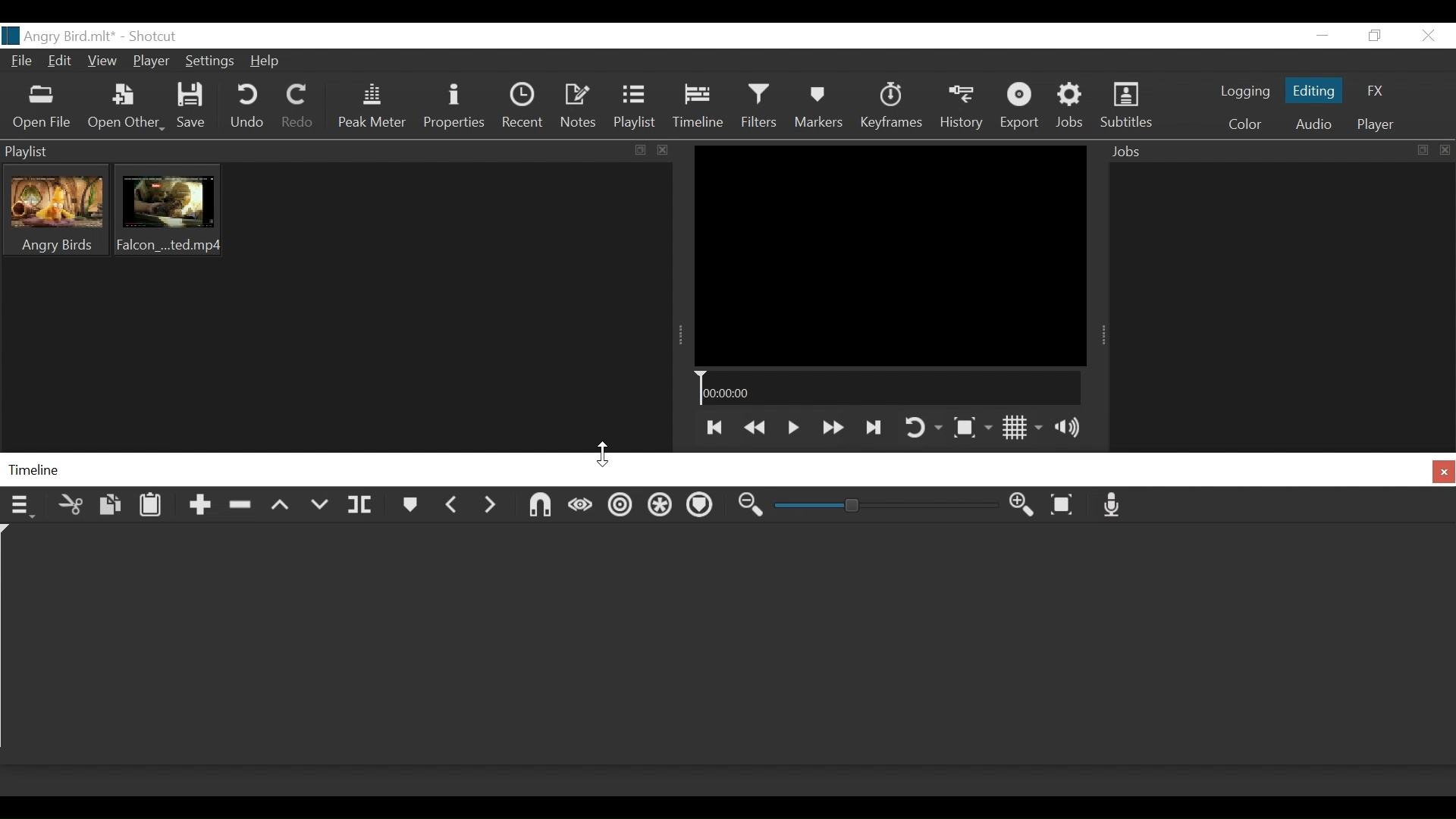  What do you see at coordinates (155, 508) in the screenshot?
I see `Paste` at bounding box center [155, 508].